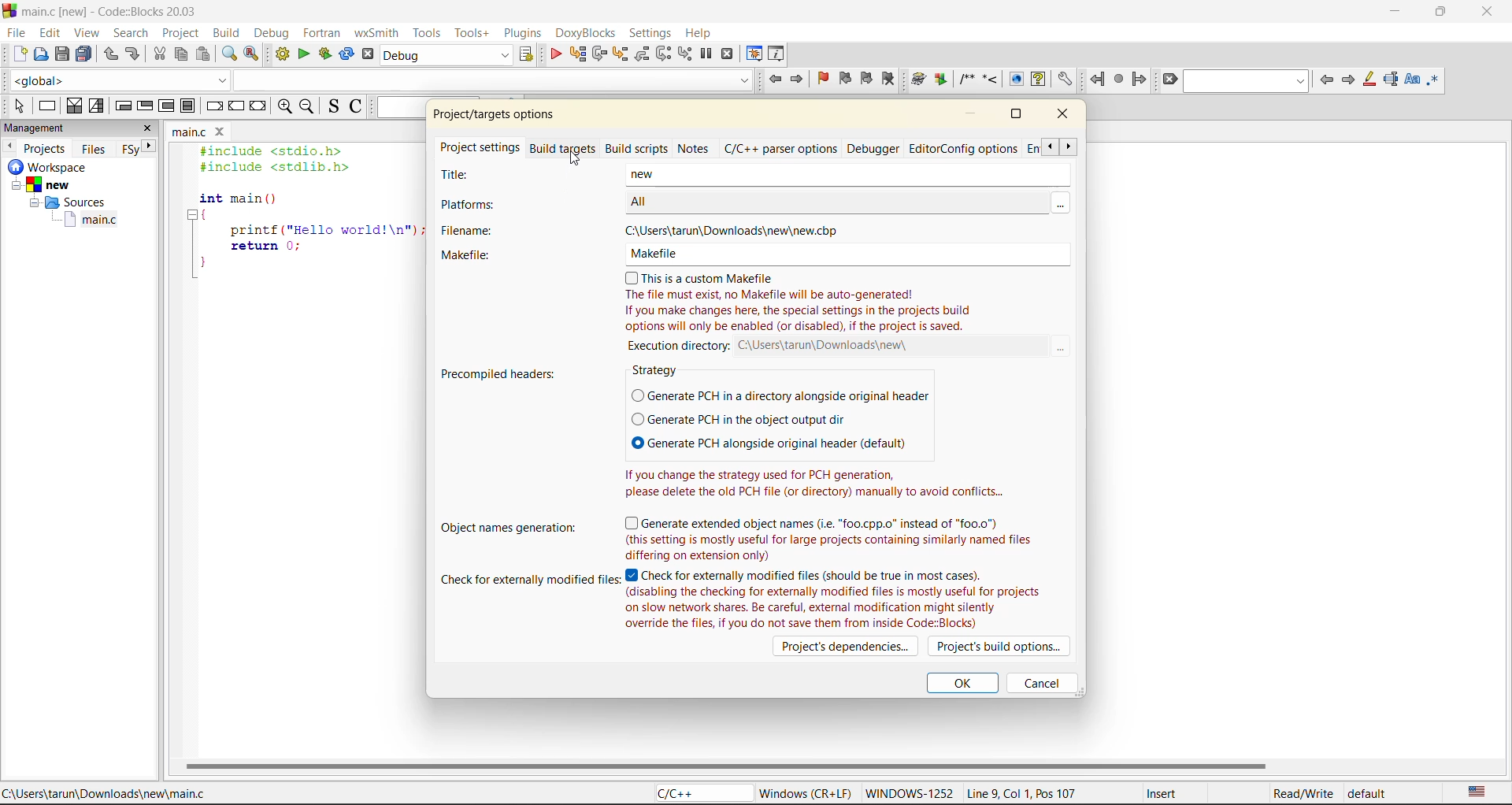 This screenshot has height=805, width=1512. I want to click on Extract documentation for the current project, so click(939, 80).